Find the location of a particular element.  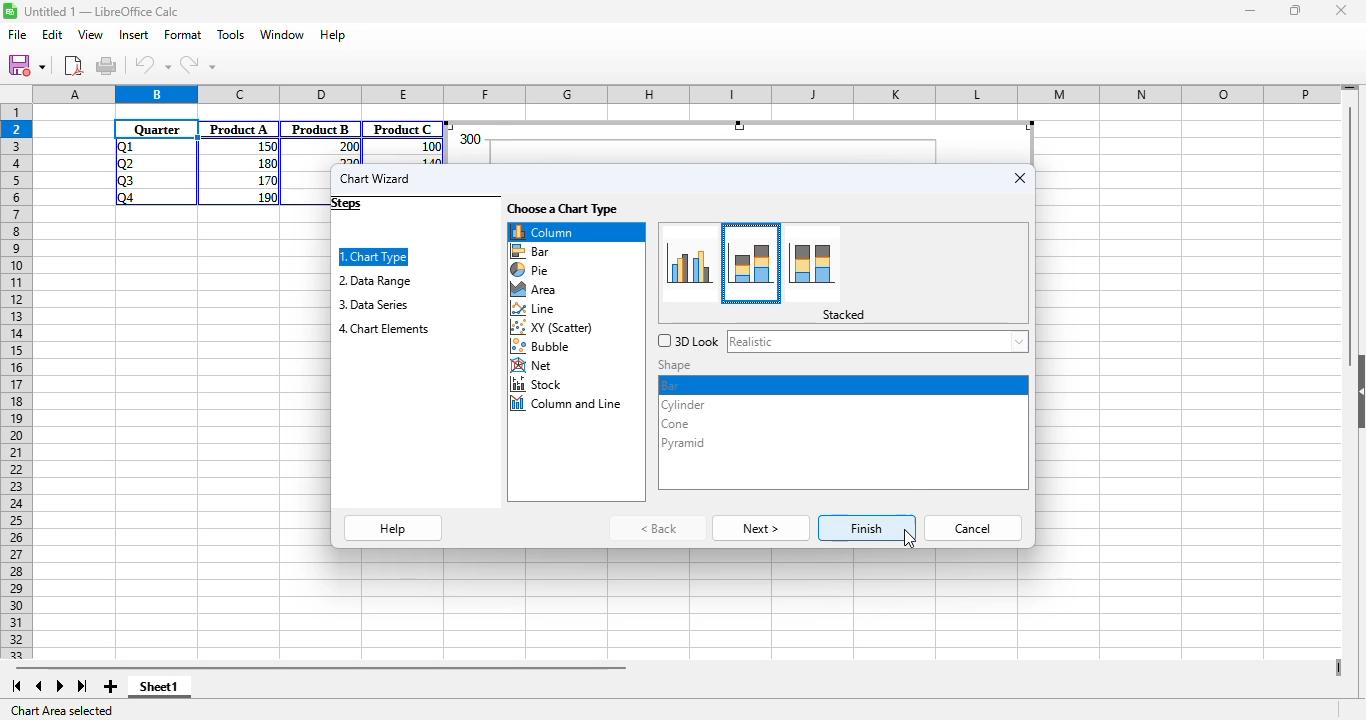

200 is located at coordinates (347, 147).